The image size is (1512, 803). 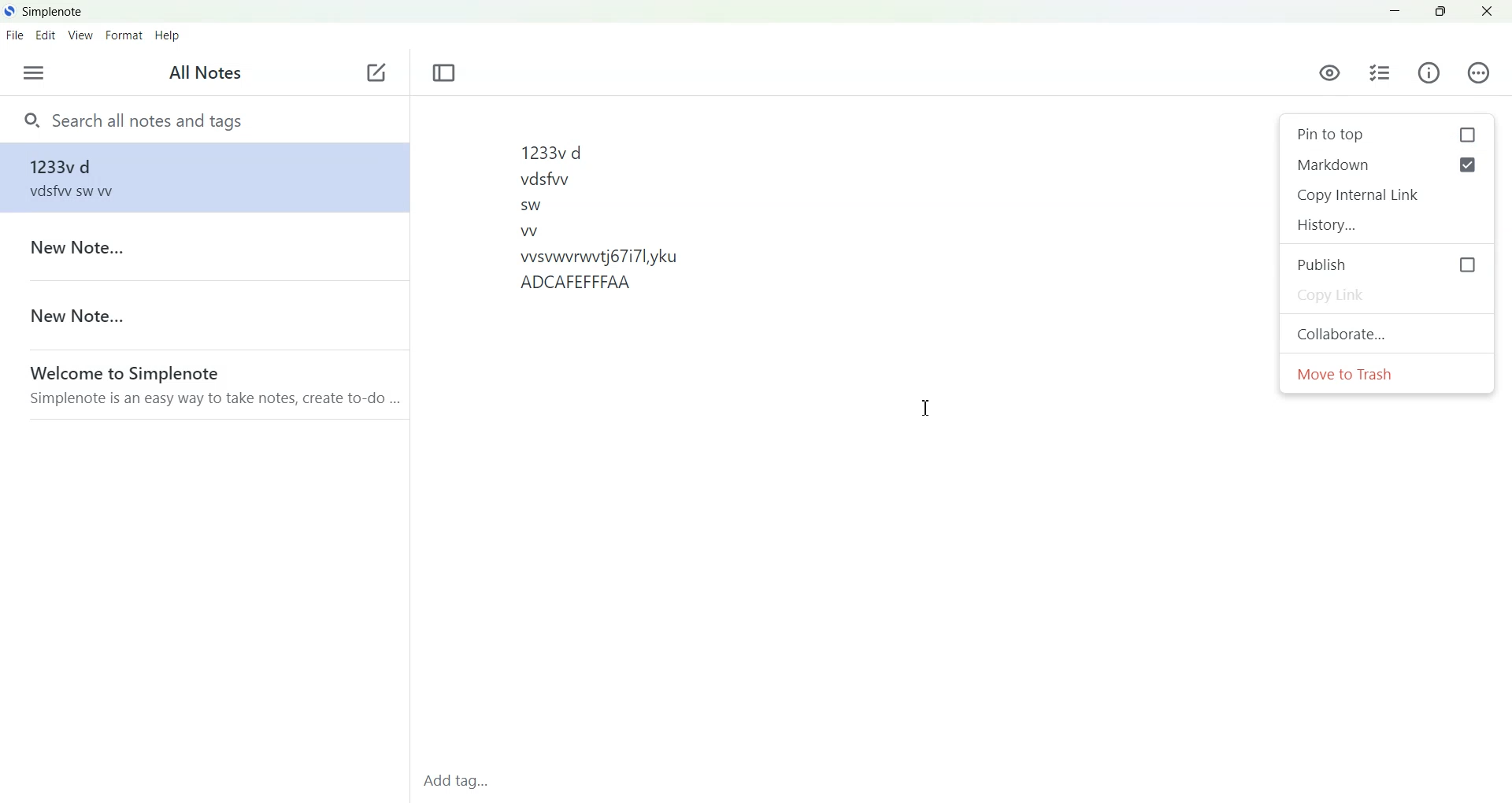 I want to click on Add Note, so click(x=376, y=73).